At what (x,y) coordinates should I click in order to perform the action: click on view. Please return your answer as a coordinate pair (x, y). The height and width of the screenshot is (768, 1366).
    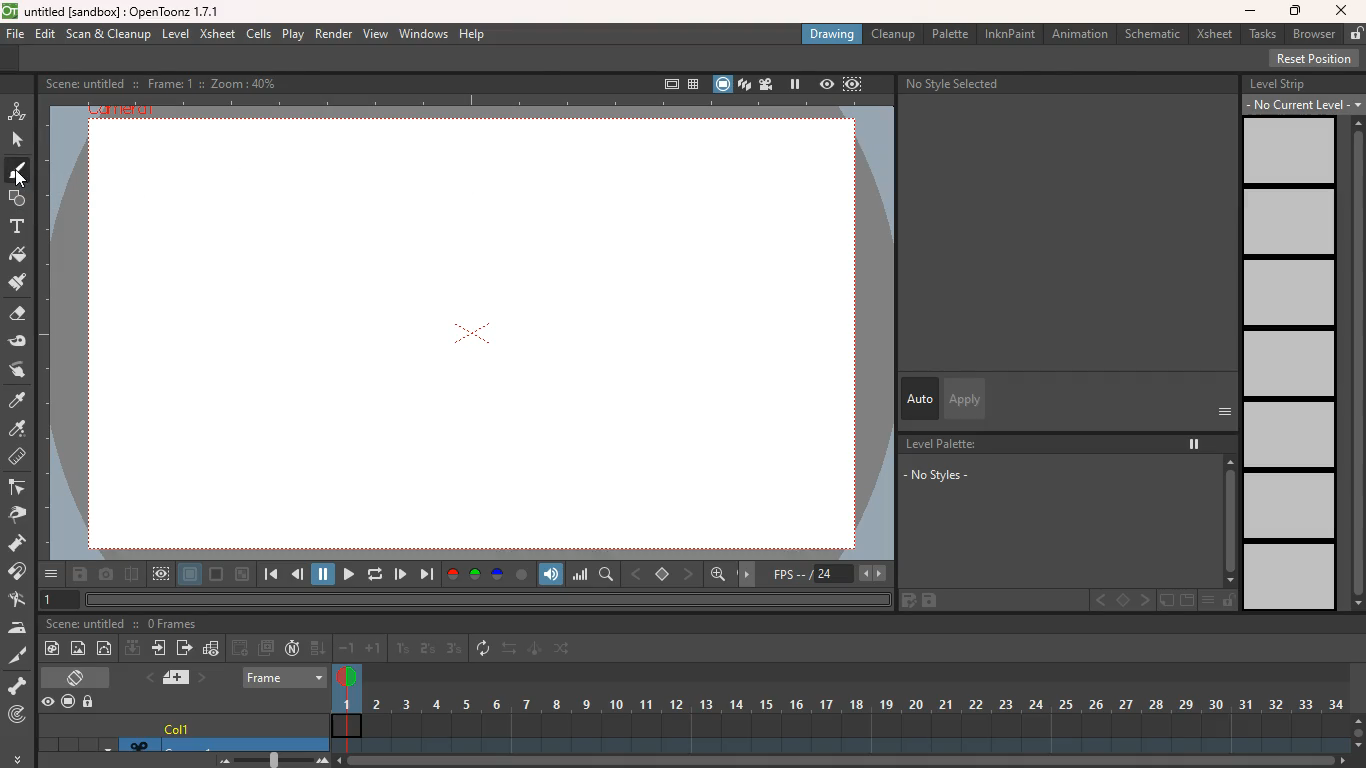
    Looking at the image, I should click on (162, 574).